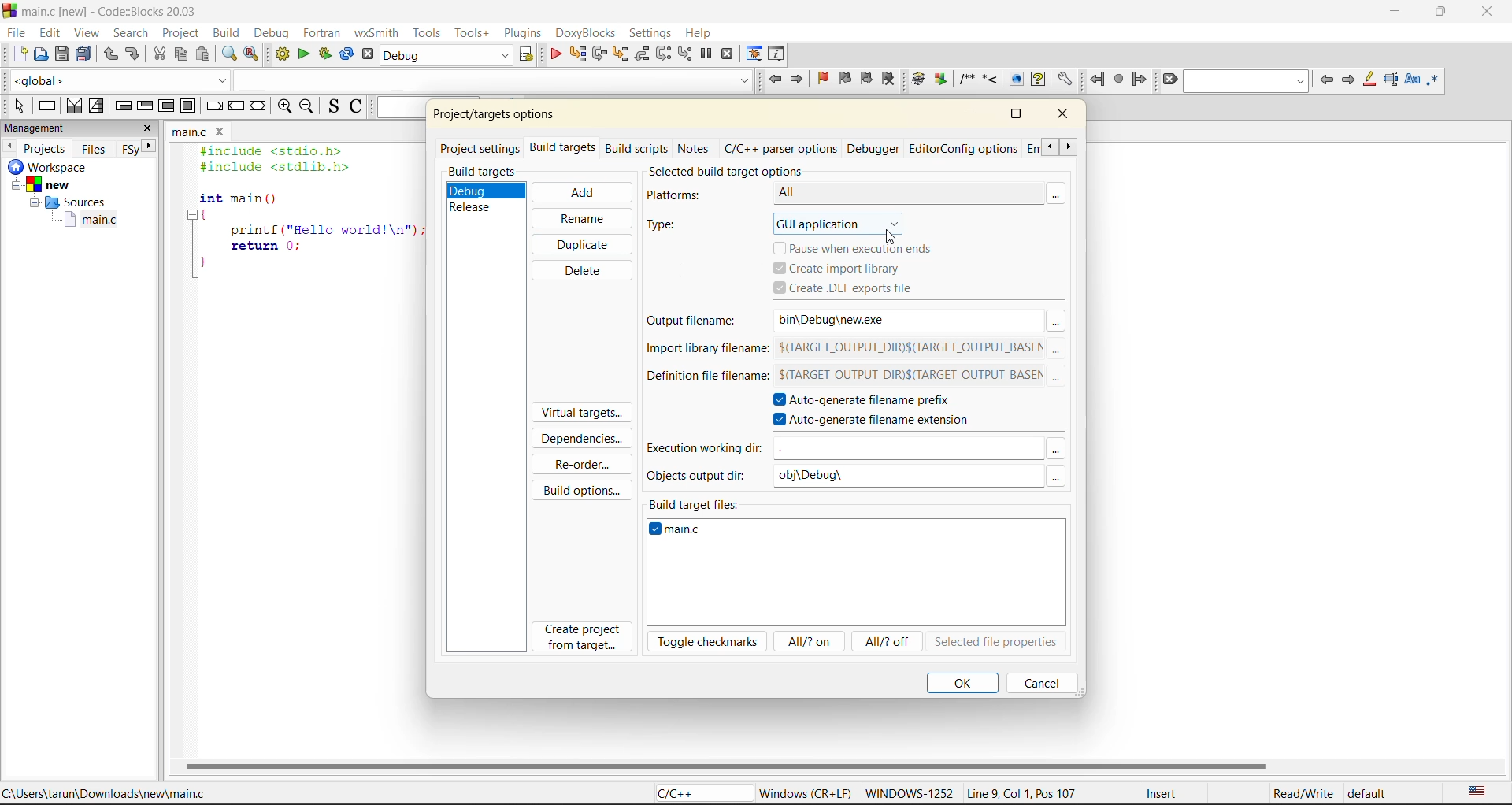 The image size is (1512, 805). I want to click on build targets, so click(565, 150).